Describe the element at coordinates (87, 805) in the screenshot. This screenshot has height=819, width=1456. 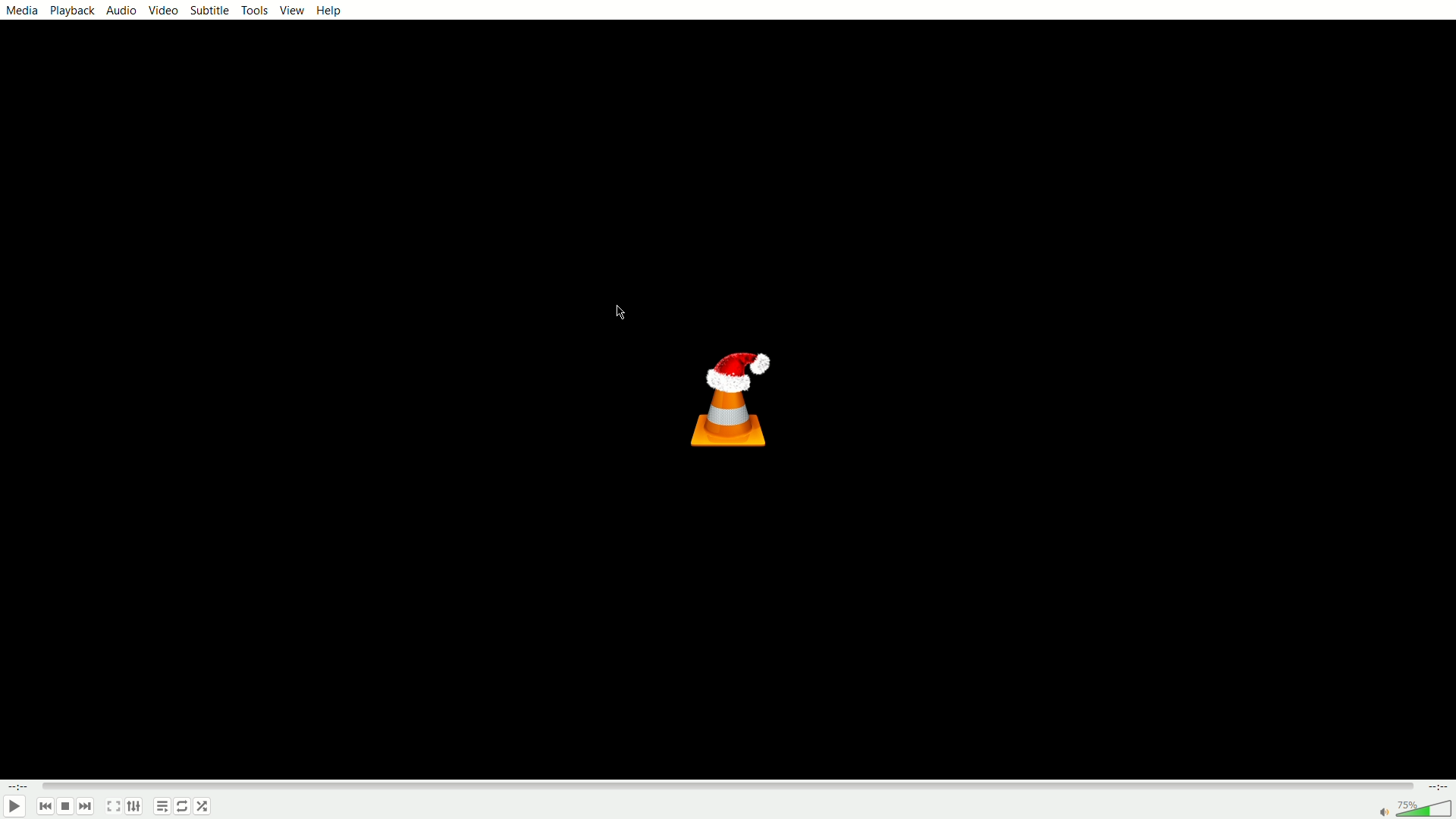
I see `next` at that location.